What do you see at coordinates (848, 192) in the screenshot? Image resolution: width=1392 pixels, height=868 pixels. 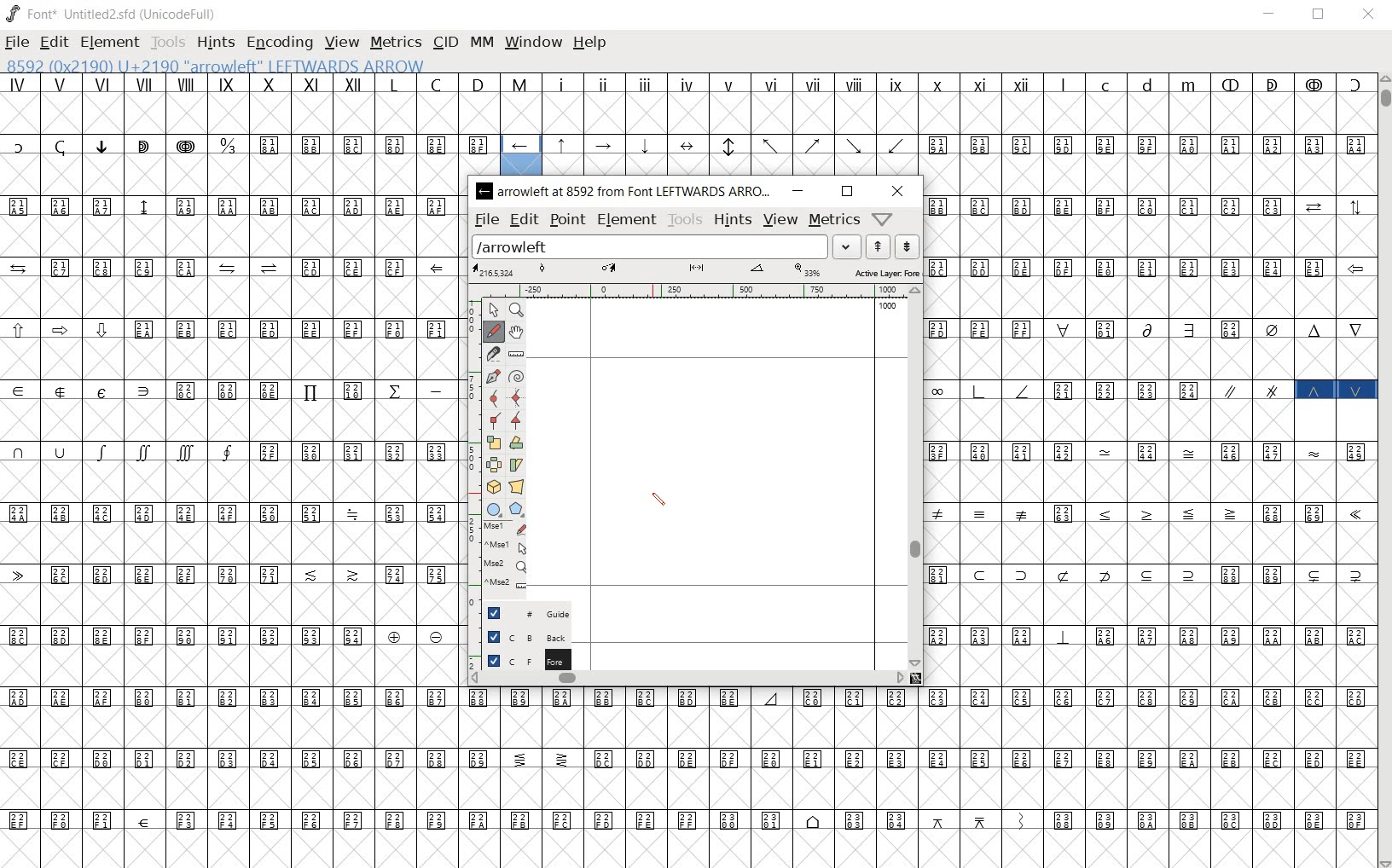 I see `restore` at bounding box center [848, 192].